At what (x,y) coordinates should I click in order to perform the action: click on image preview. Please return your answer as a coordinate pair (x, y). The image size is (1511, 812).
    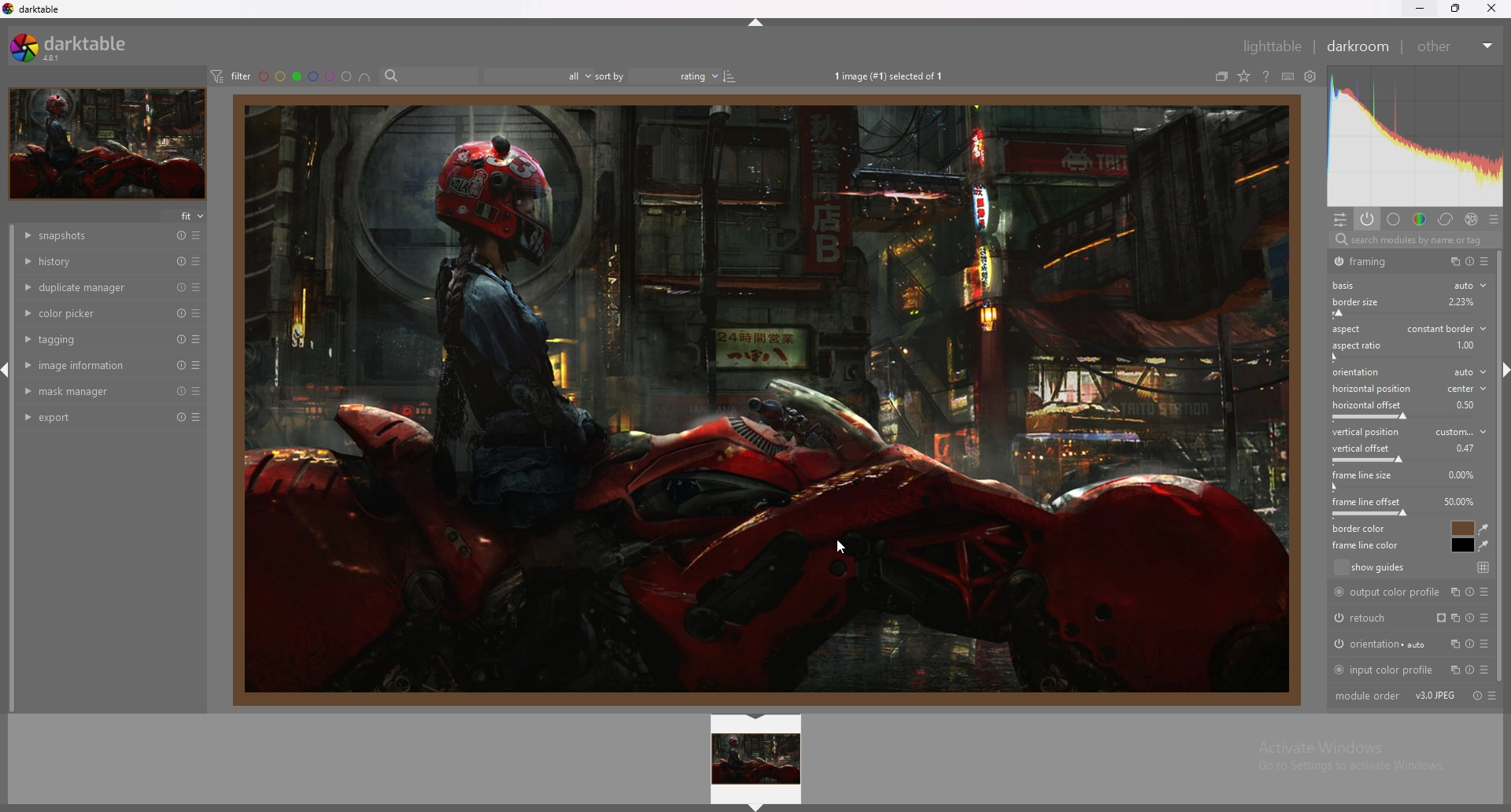
    Looking at the image, I should click on (757, 759).